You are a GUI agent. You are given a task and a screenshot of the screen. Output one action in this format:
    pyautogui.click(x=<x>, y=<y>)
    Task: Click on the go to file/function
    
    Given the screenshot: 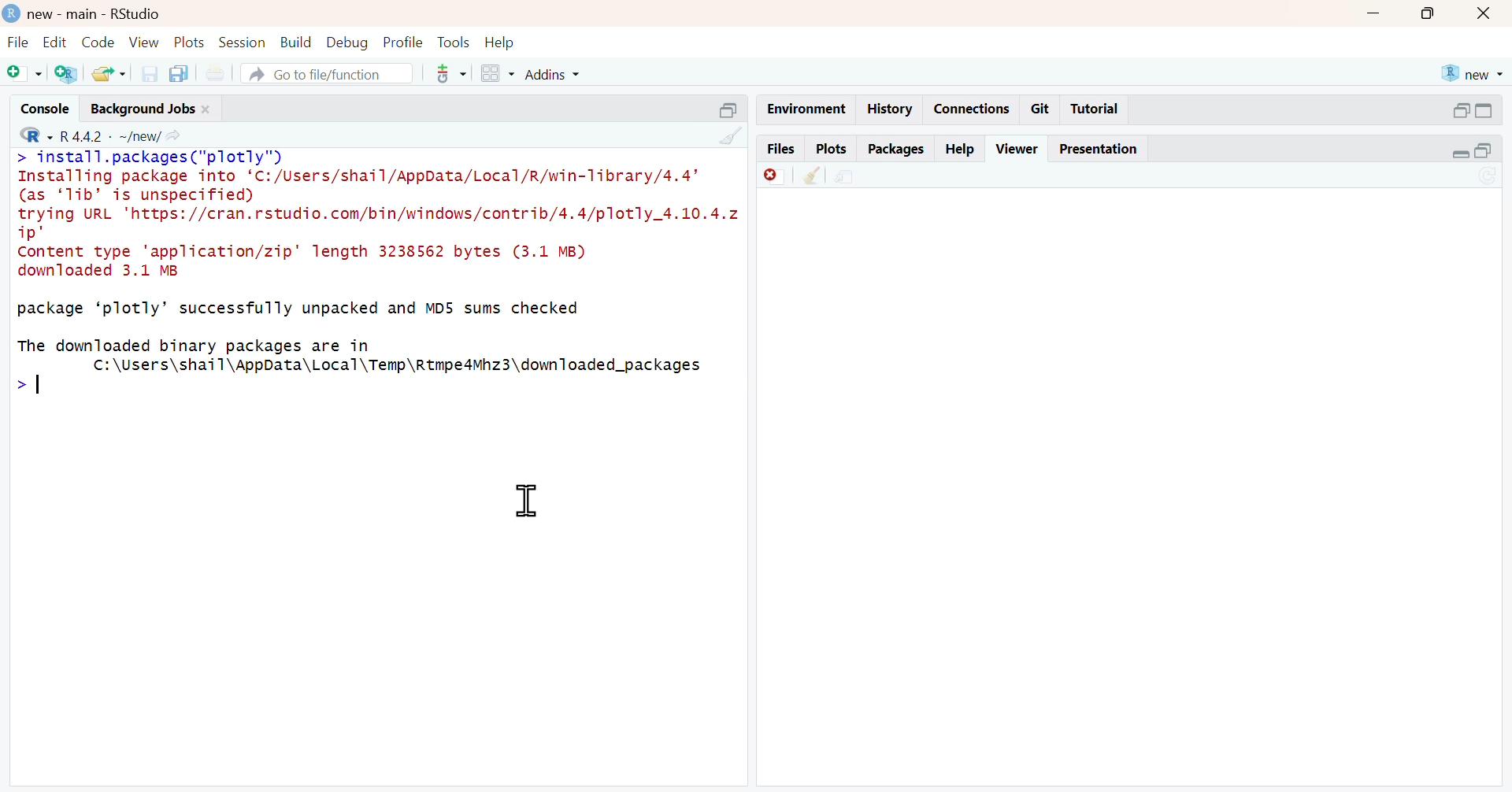 What is the action you would take?
    pyautogui.click(x=328, y=75)
    